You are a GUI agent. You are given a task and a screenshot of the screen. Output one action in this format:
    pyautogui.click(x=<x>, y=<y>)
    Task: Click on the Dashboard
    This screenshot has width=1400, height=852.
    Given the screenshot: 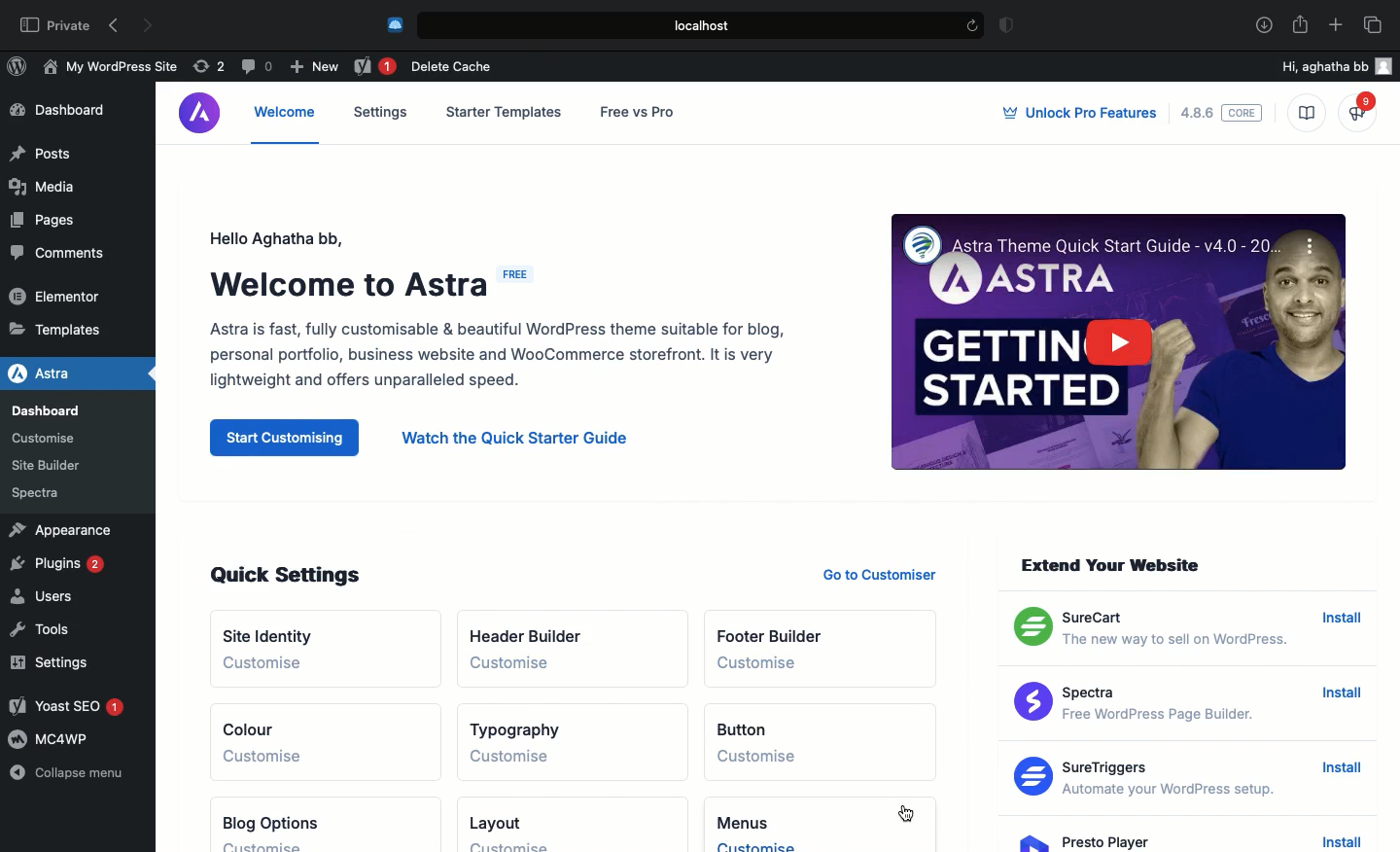 What is the action you would take?
    pyautogui.click(x=79, y=411)
    